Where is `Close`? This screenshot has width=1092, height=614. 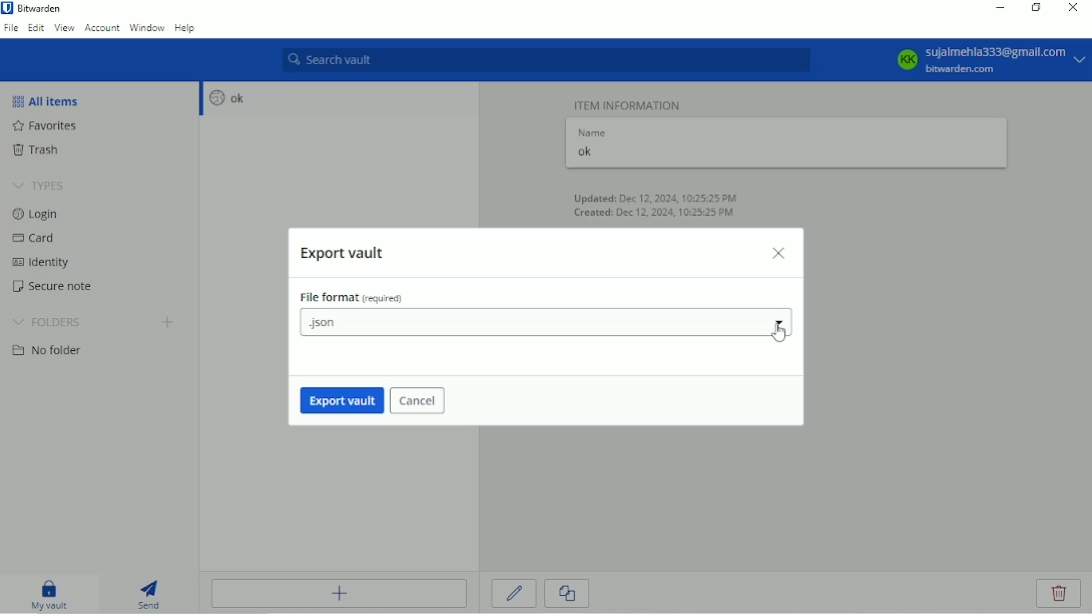
Close is located at coordinates (780, 253).